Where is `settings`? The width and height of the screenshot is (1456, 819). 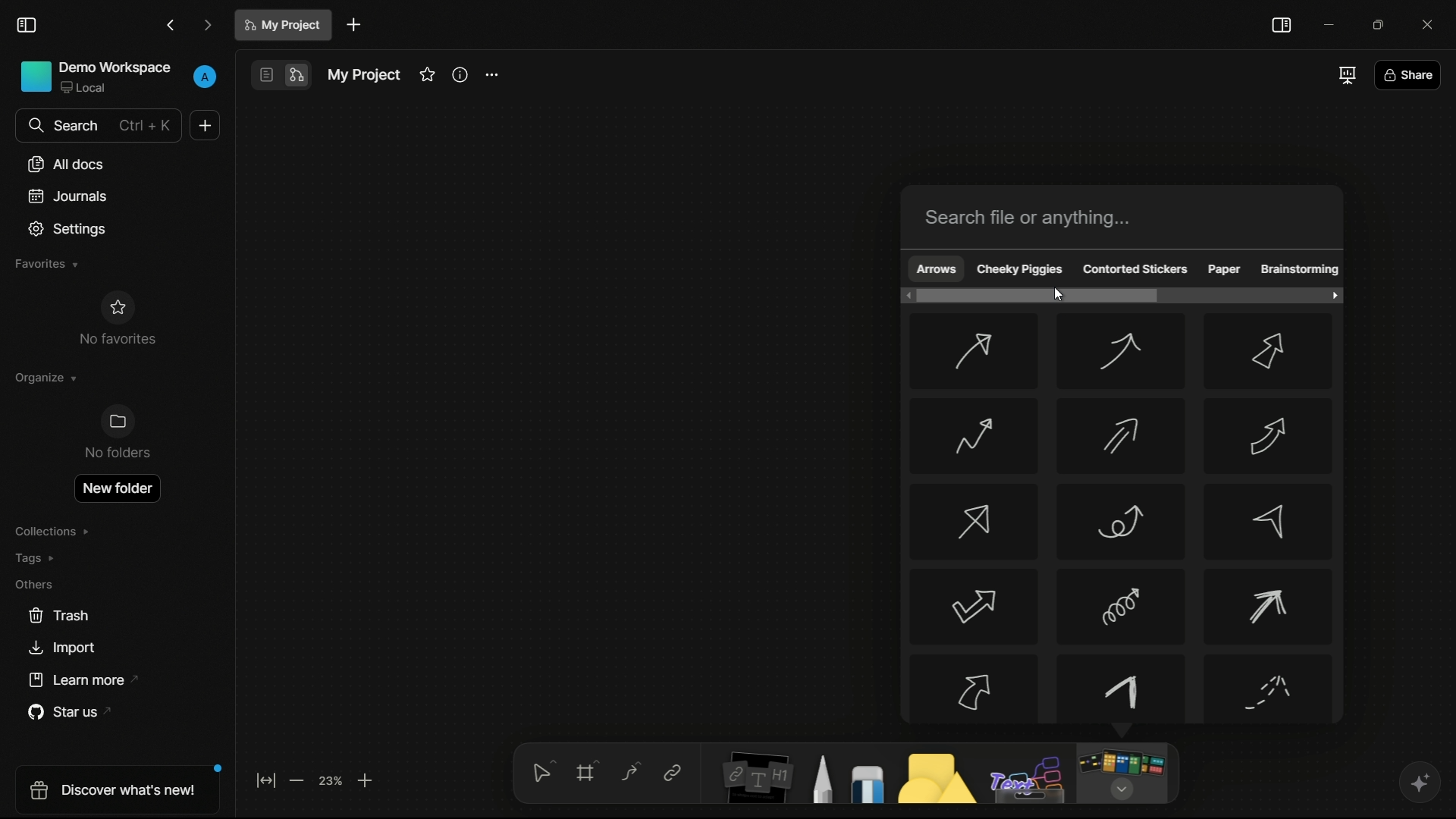
settings is located at coordinates (491, 76).